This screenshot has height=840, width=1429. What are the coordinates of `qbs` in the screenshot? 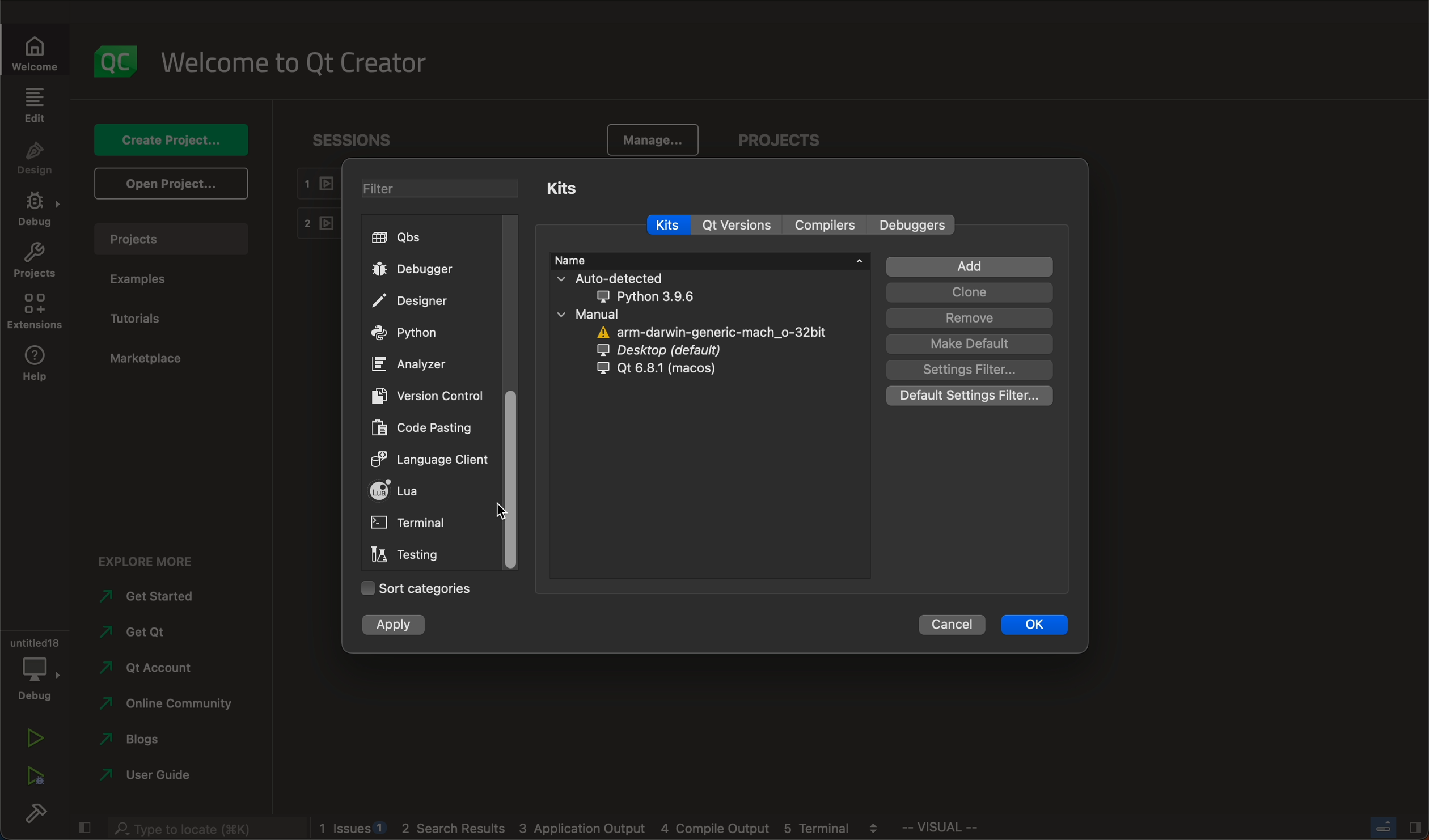 It's located at (405, 237).